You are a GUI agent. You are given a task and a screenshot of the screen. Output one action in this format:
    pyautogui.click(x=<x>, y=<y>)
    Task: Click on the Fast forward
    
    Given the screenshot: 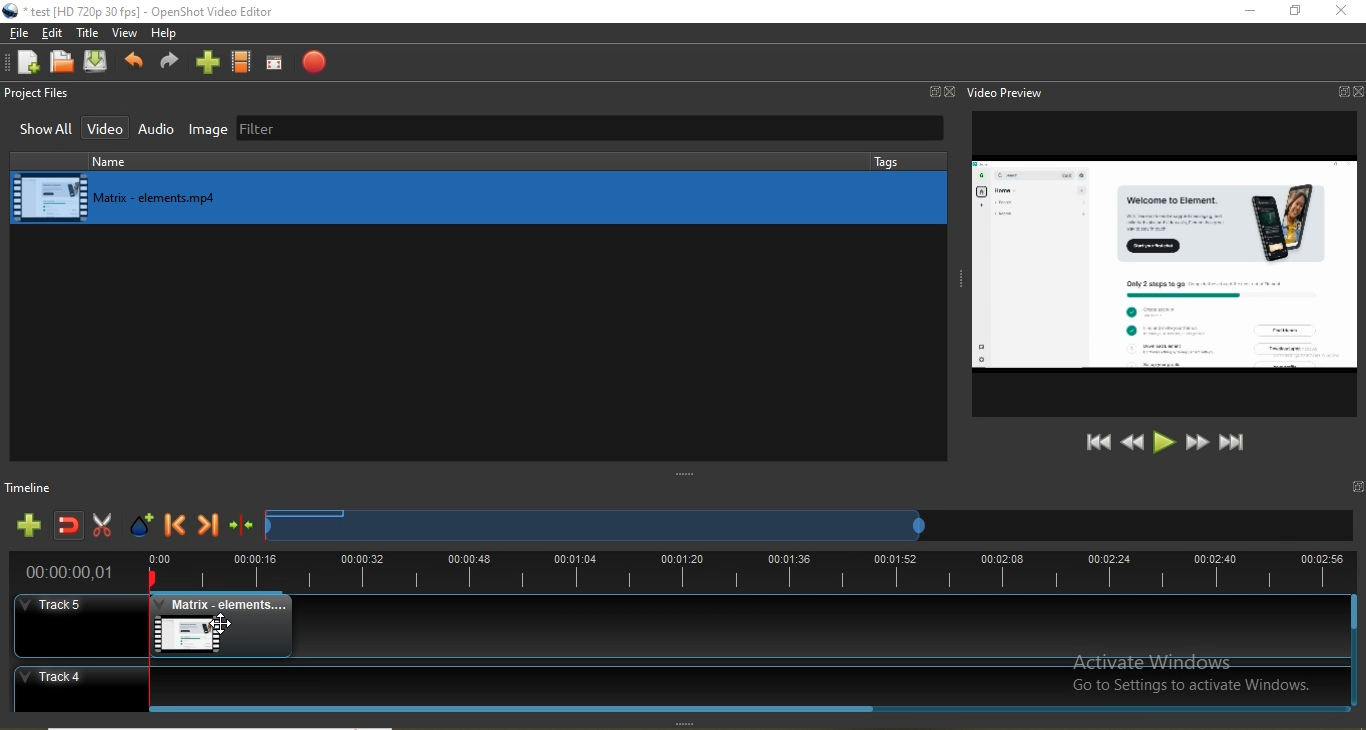 What is the action you would take?
    pyautogui.click(x=1198, y=443)
    